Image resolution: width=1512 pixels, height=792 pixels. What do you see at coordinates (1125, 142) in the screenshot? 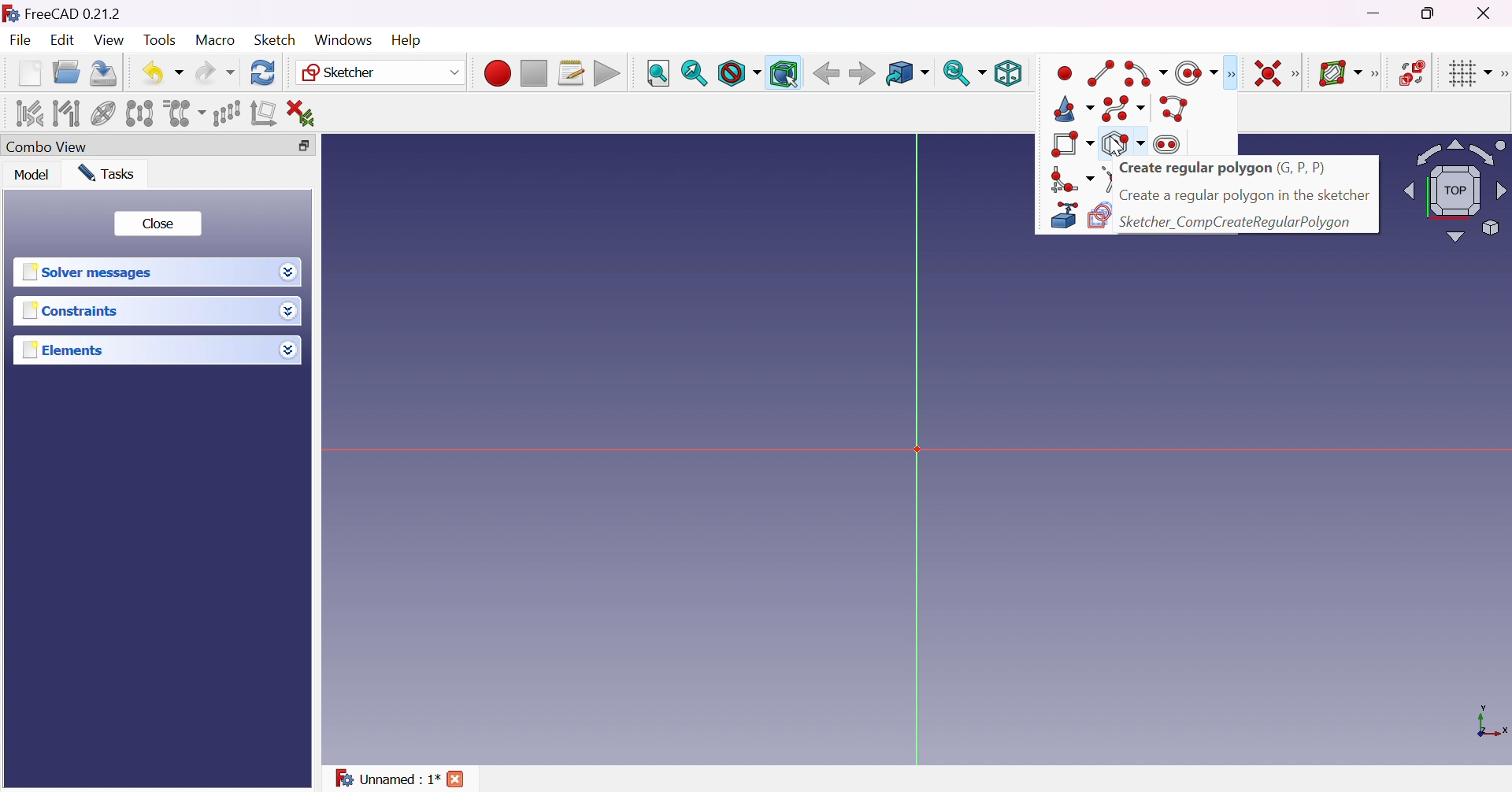
I see `Cursor` at bounding box center [1125, 142].